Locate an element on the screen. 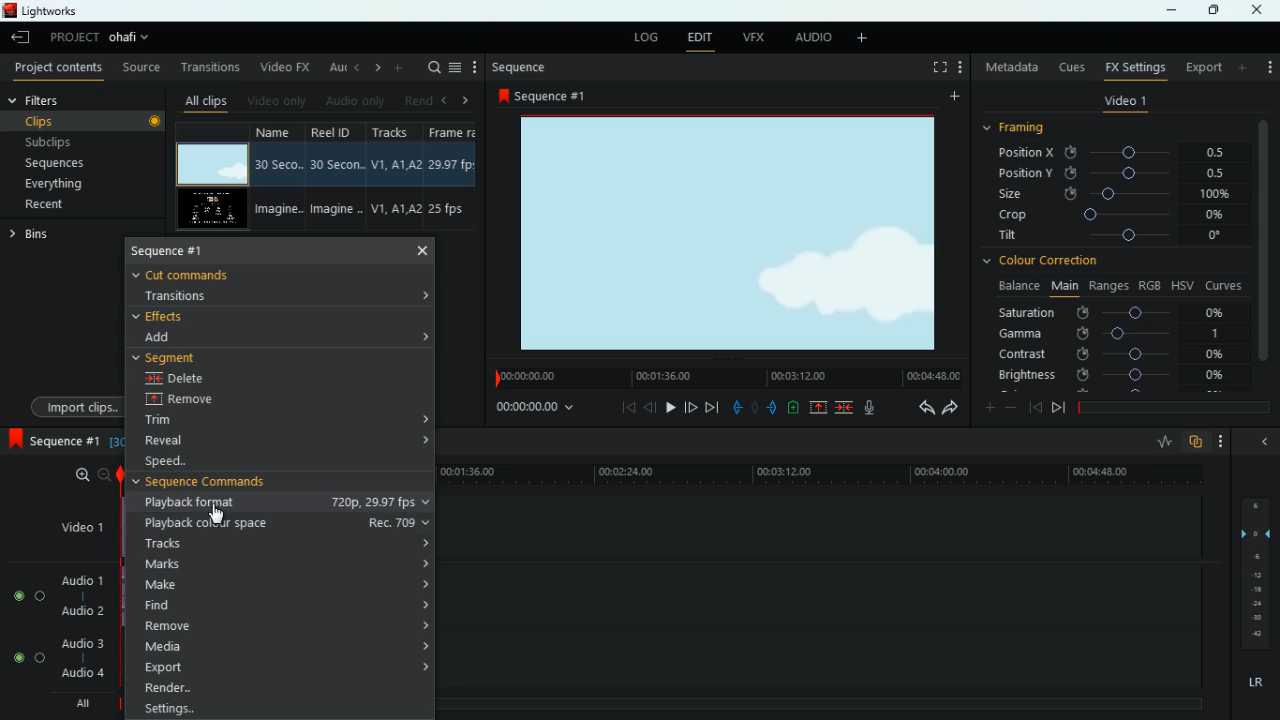 Image resolution: width=1280 pixels, height=720 pixels. balance is located at coordinates (1018, 286).